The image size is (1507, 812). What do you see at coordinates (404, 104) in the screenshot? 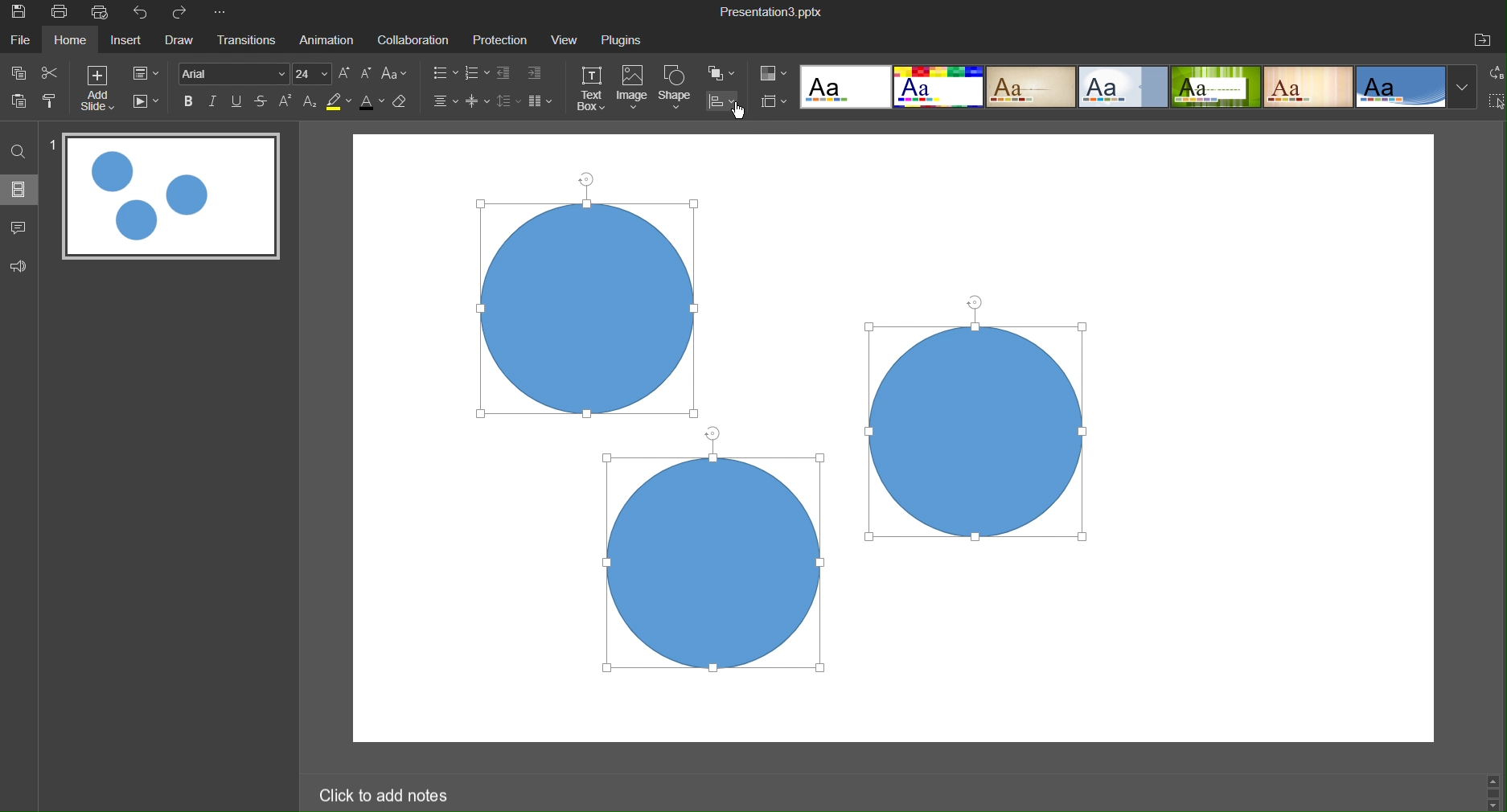
I see `Erase Style` at bounding box center [404, 104].